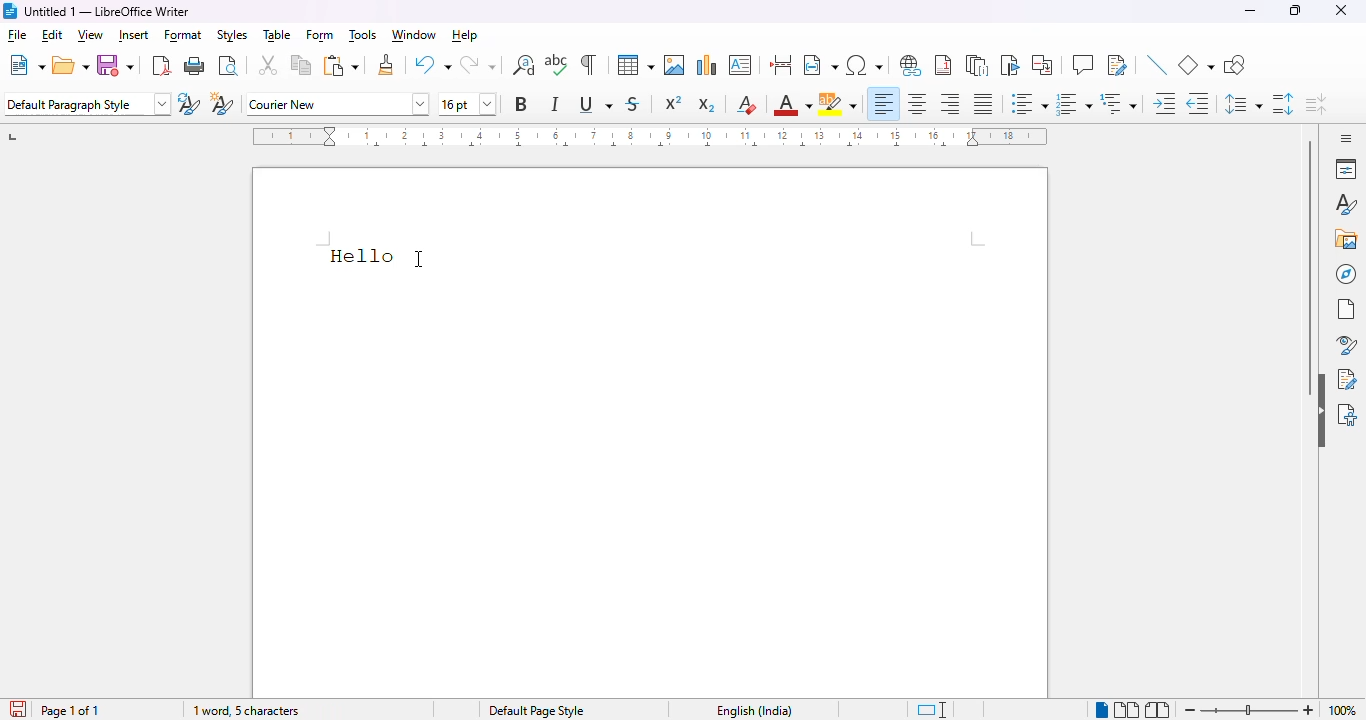 This screenshot has width=1366, height=720. I want to click on Untitled 1 — LibreOffice Writer, so click(109, 11).